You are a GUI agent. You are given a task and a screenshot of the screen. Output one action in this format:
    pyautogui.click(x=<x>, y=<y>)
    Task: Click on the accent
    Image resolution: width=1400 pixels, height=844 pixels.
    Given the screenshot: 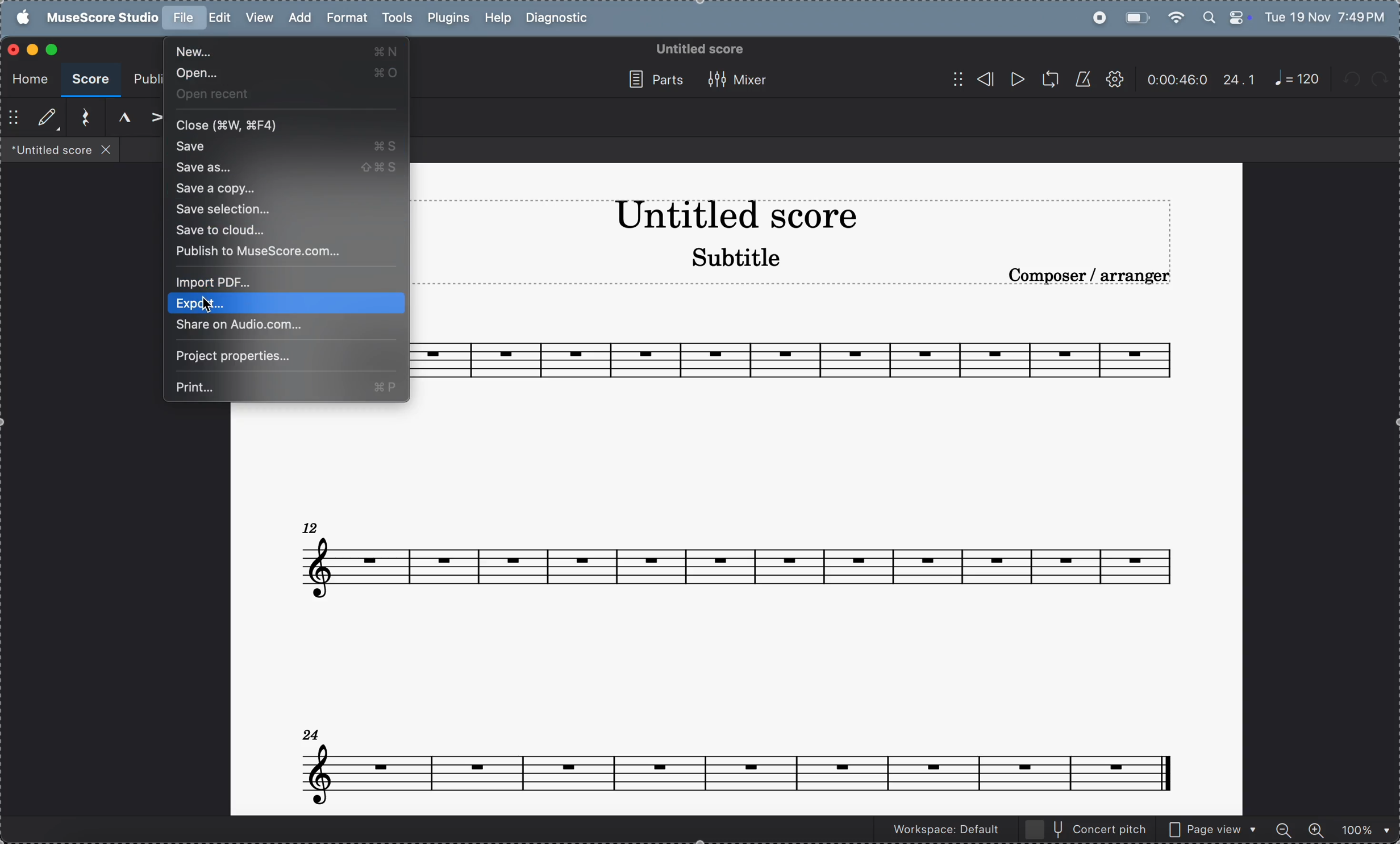 What is the action you would take?
    pyautogui.click(x=152, y=118)
    